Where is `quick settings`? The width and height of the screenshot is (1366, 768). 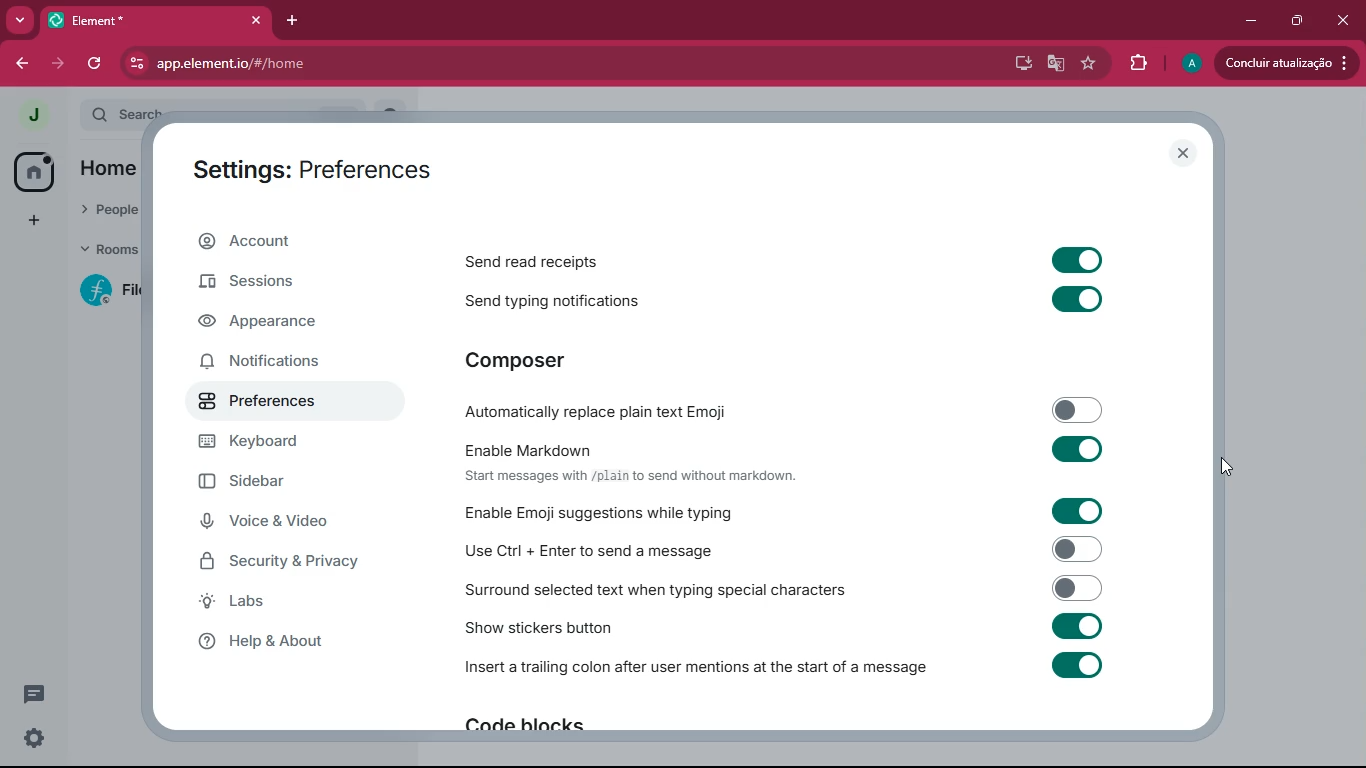
quick settings is located at coordinates (32, 735).